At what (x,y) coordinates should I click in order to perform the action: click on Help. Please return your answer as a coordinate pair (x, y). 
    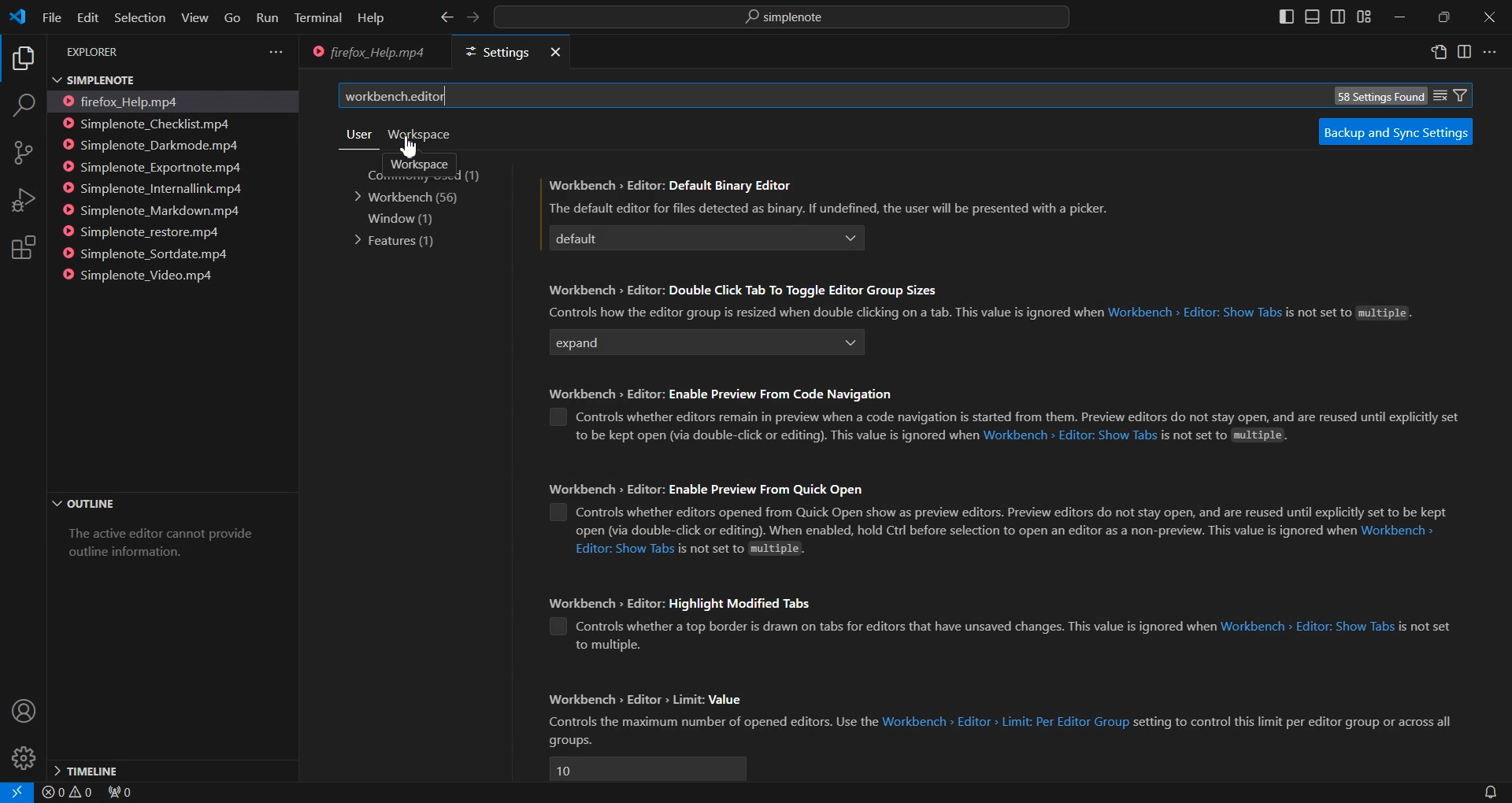
    Looking at the image, I should click on (370, 19).